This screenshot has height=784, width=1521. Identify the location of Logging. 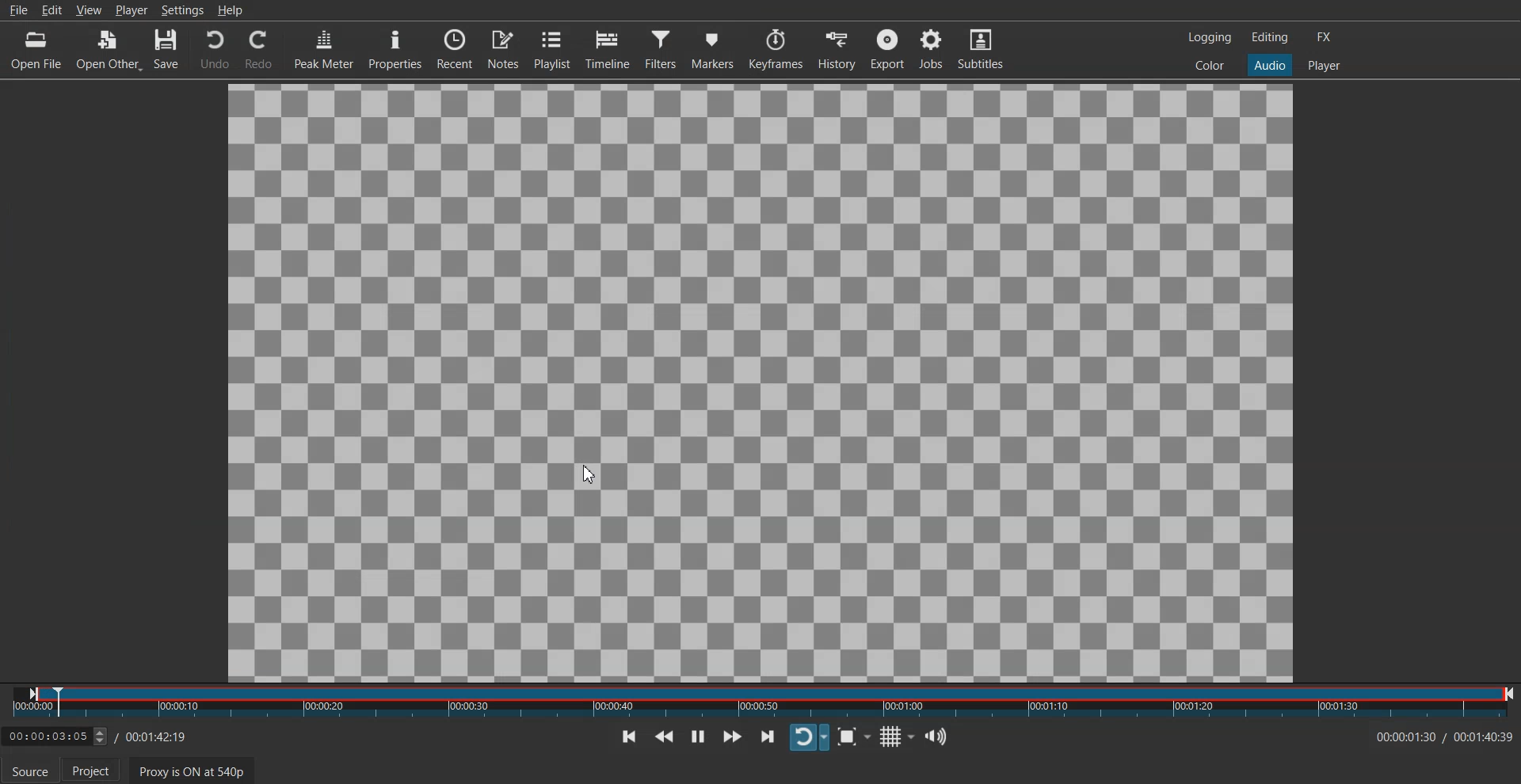
(1209, 36).